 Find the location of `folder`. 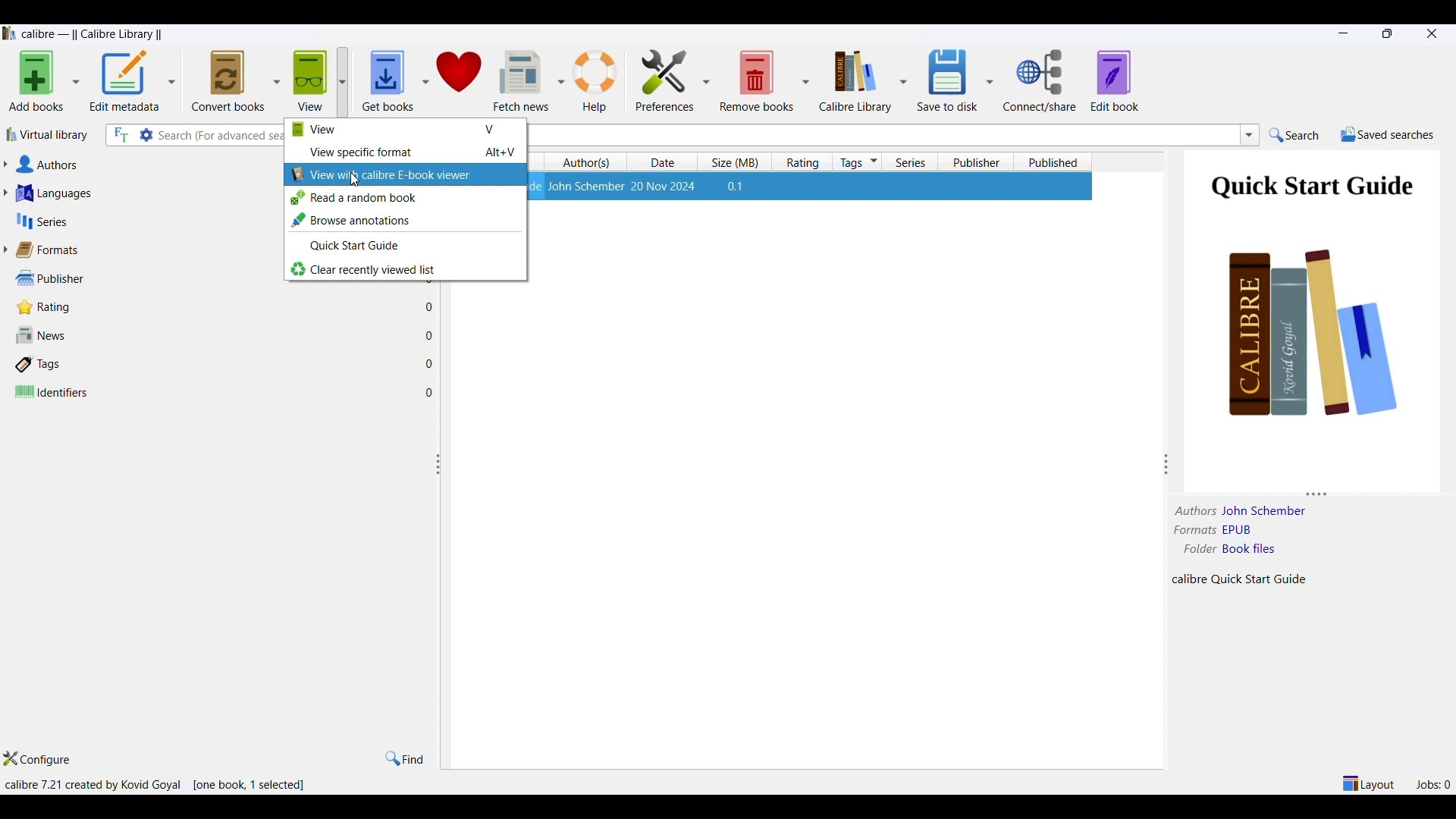

folder is located at coordinates (1195, 551).